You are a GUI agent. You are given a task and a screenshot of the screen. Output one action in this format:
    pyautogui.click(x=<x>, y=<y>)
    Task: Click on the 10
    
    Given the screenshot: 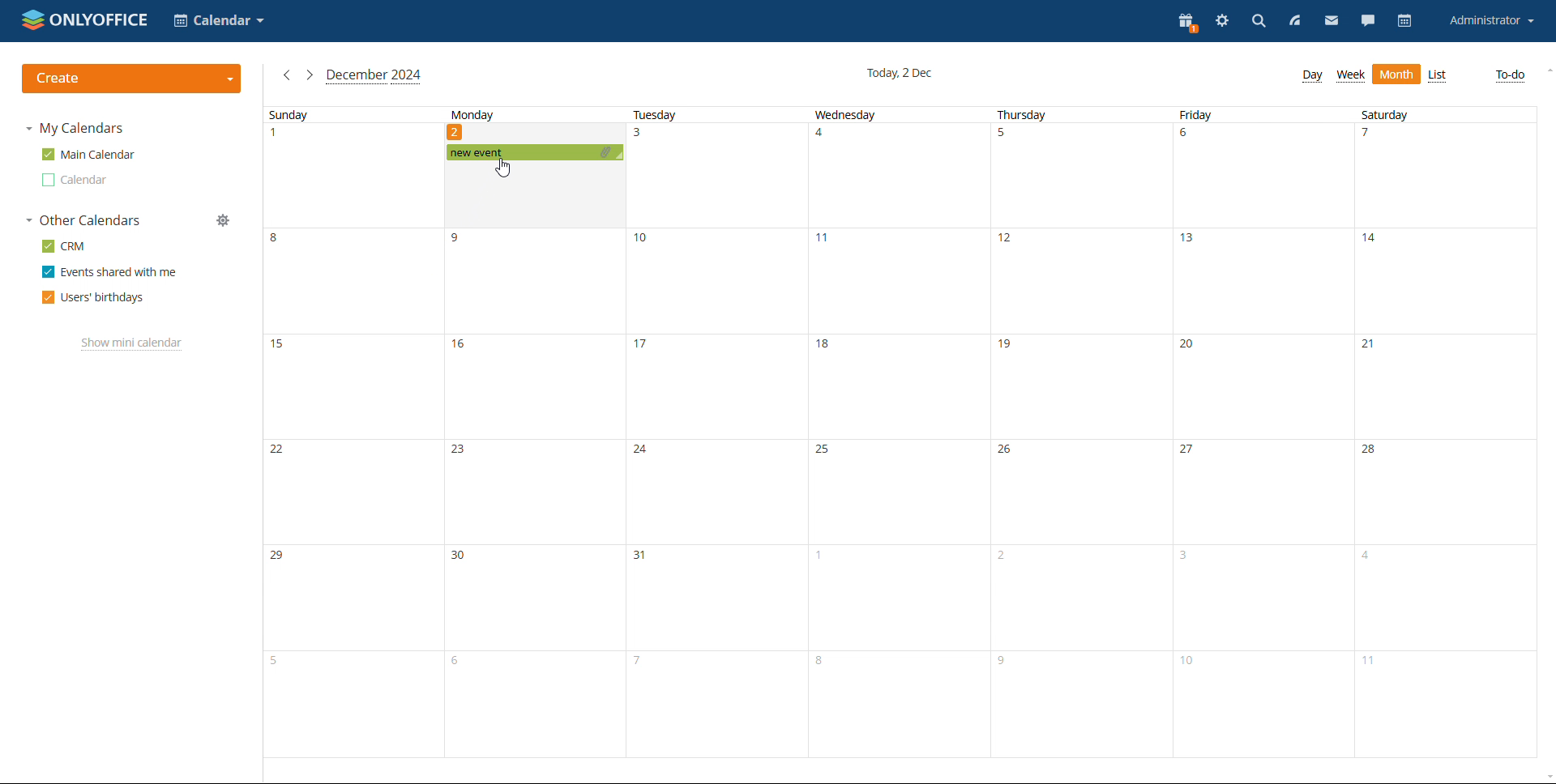 What is the action you would take?
    pyautogui.click(x=1193, y=666)
    